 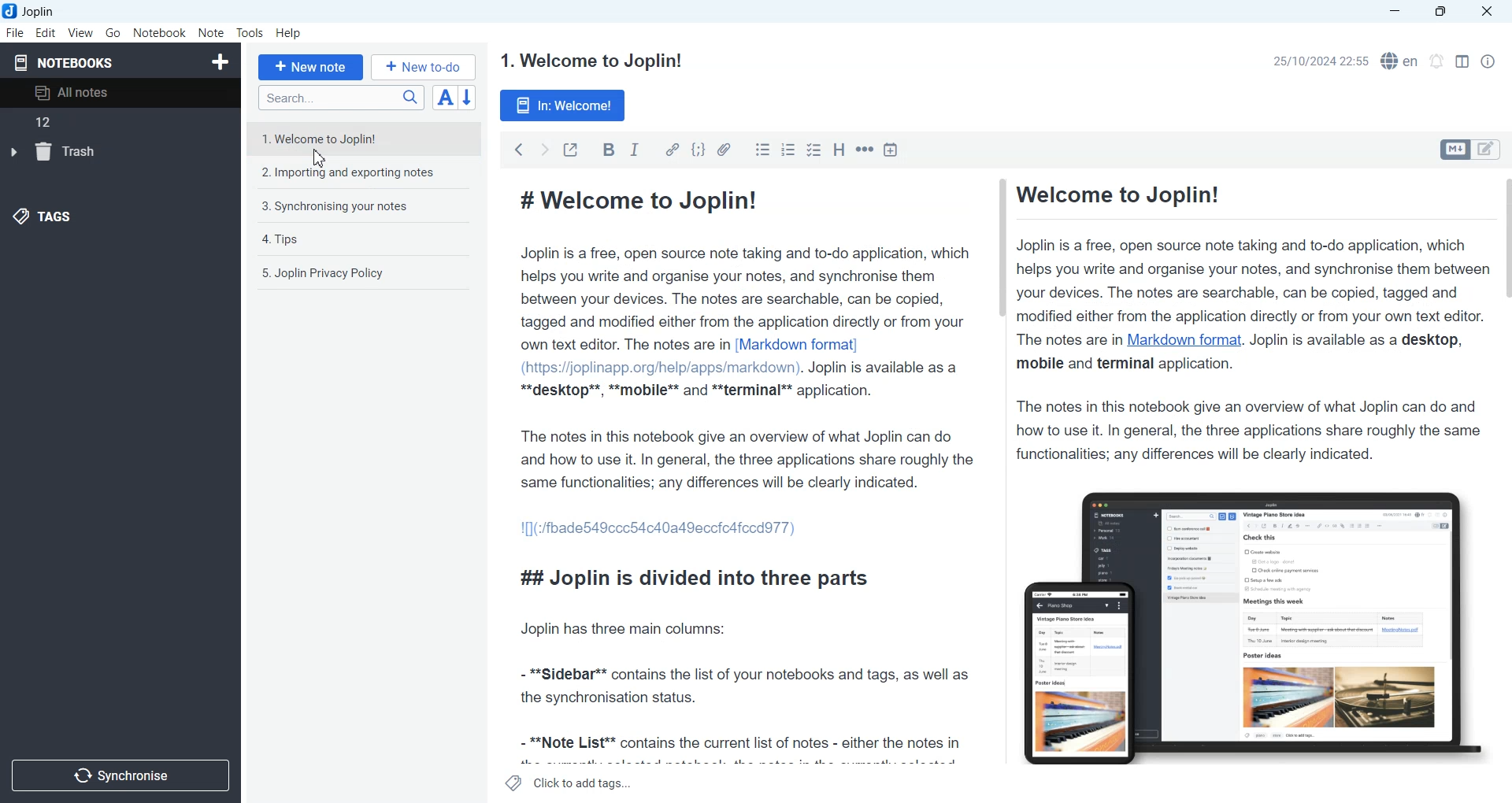 What do you see at coordinates (636, 150) in the screenshot?
I see `Italic` at bounding box center [636, 150].